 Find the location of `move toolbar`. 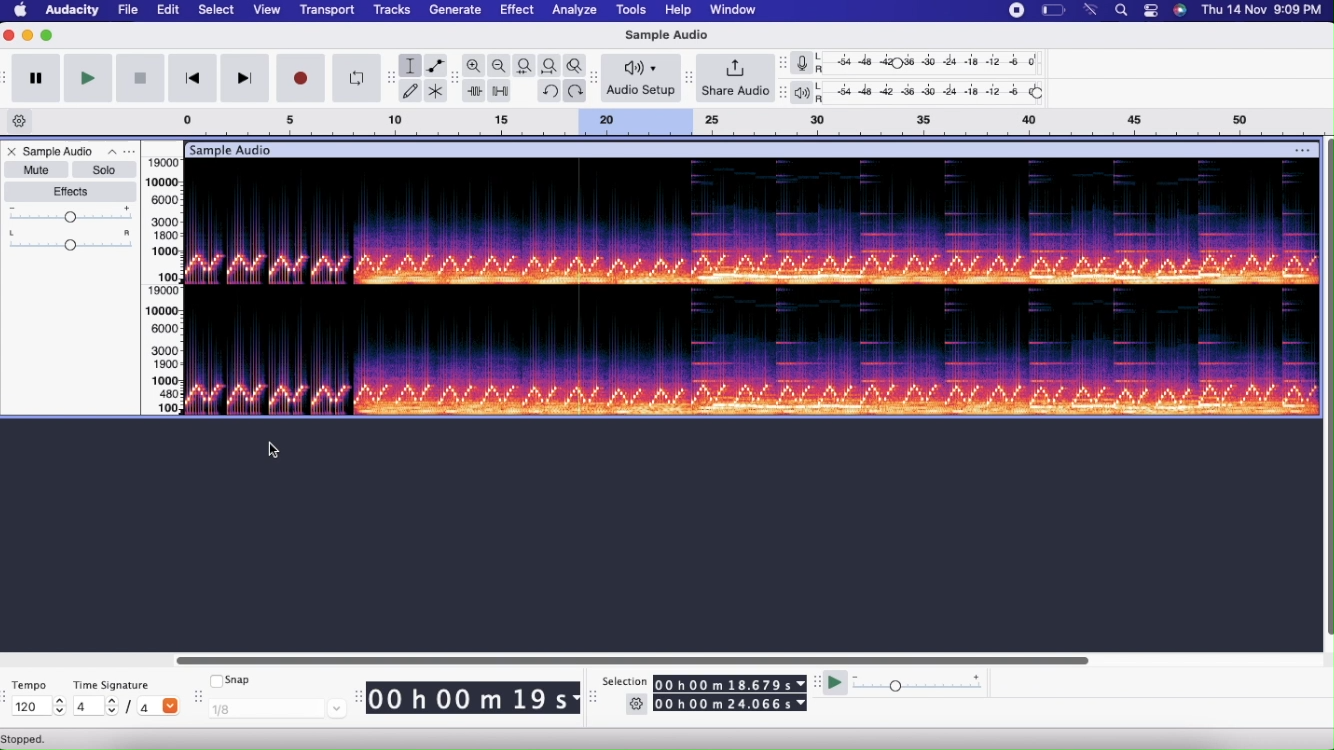

move toolbar is located at coordinates (196, 694).